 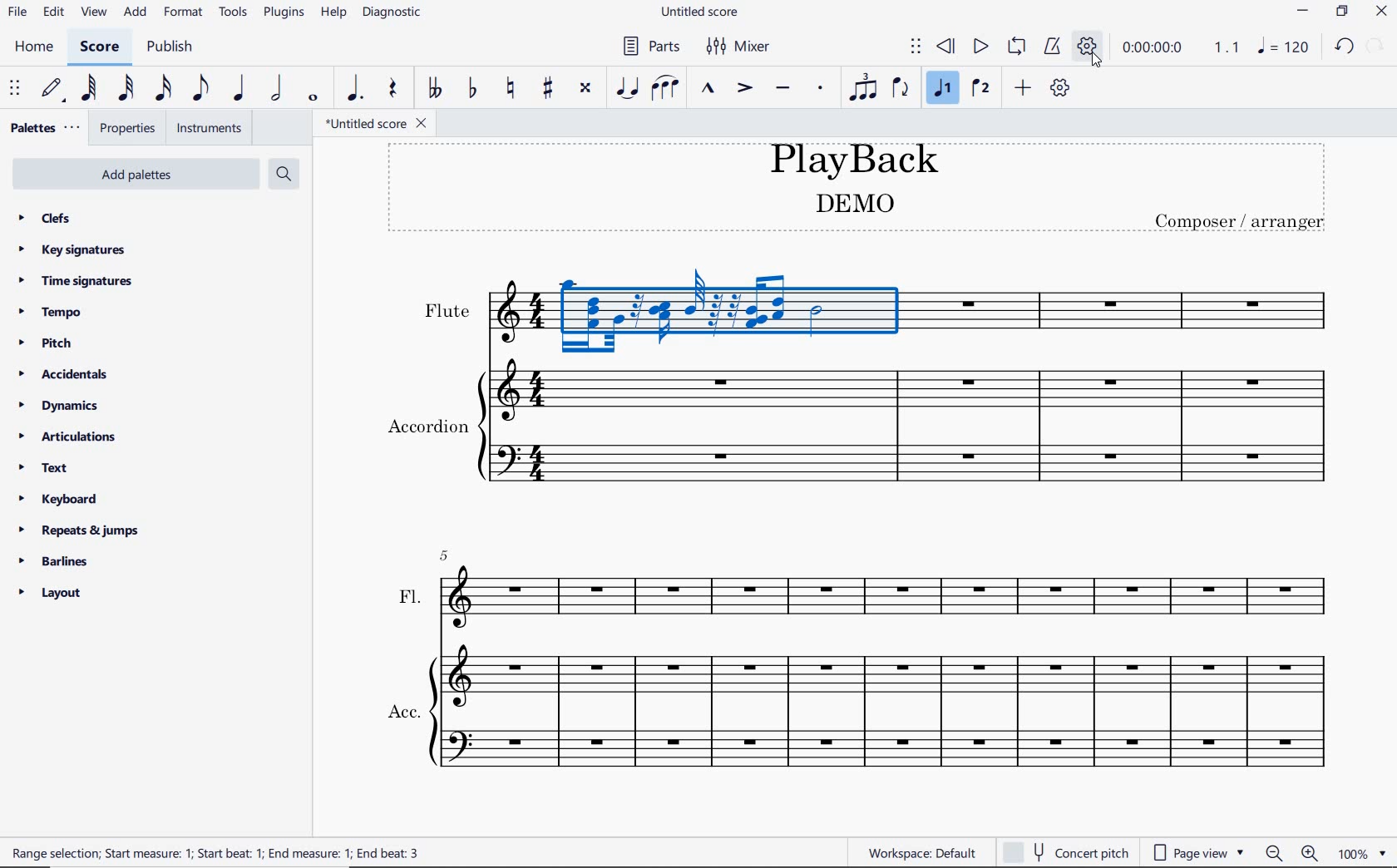 What do you see at coordinates (135, 11) in the screenshot?
I see `add` at bounding box center [135, 11].